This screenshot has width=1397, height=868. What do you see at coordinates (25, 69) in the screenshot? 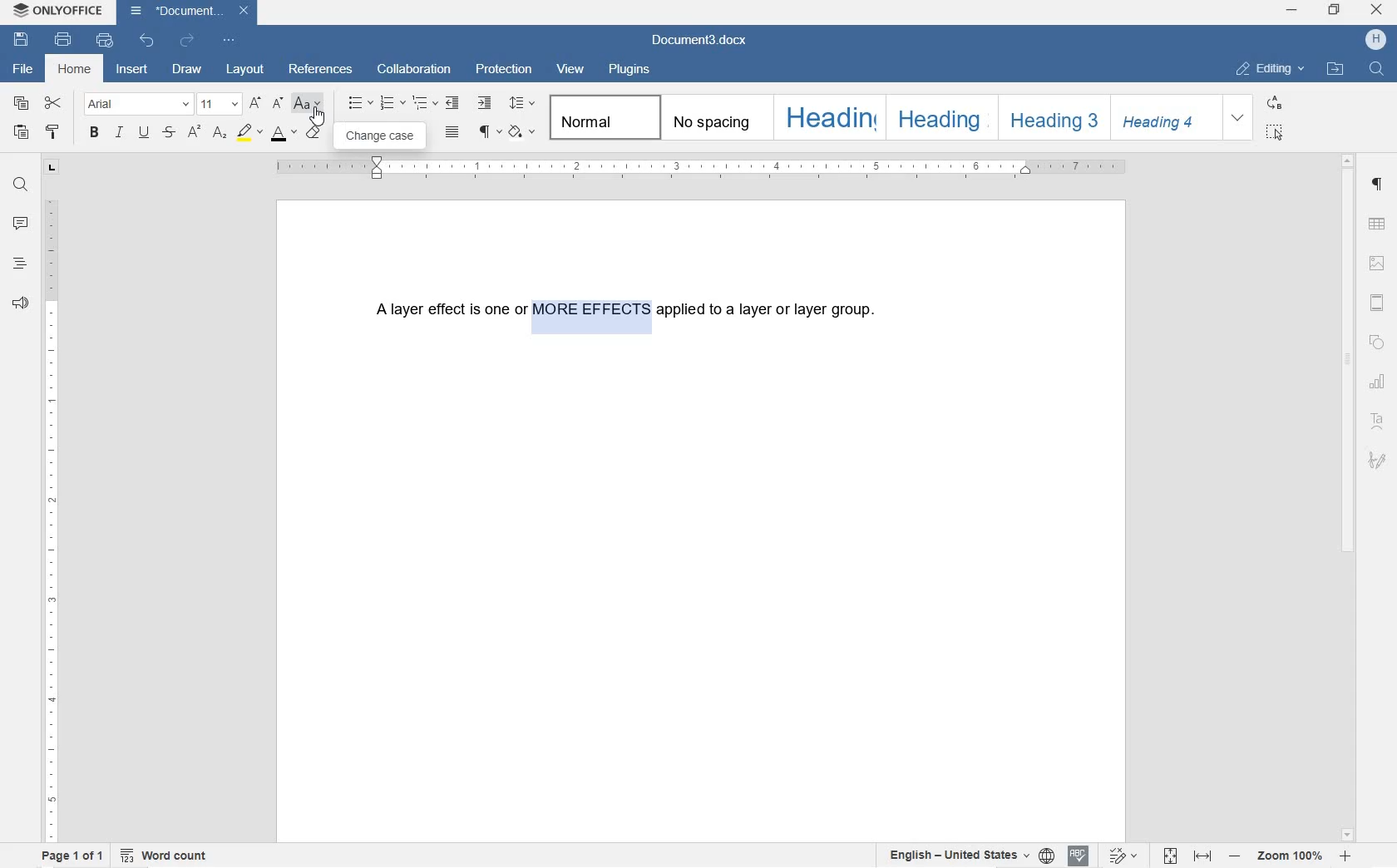
I see `FILE` at bounding box center [25, 69].